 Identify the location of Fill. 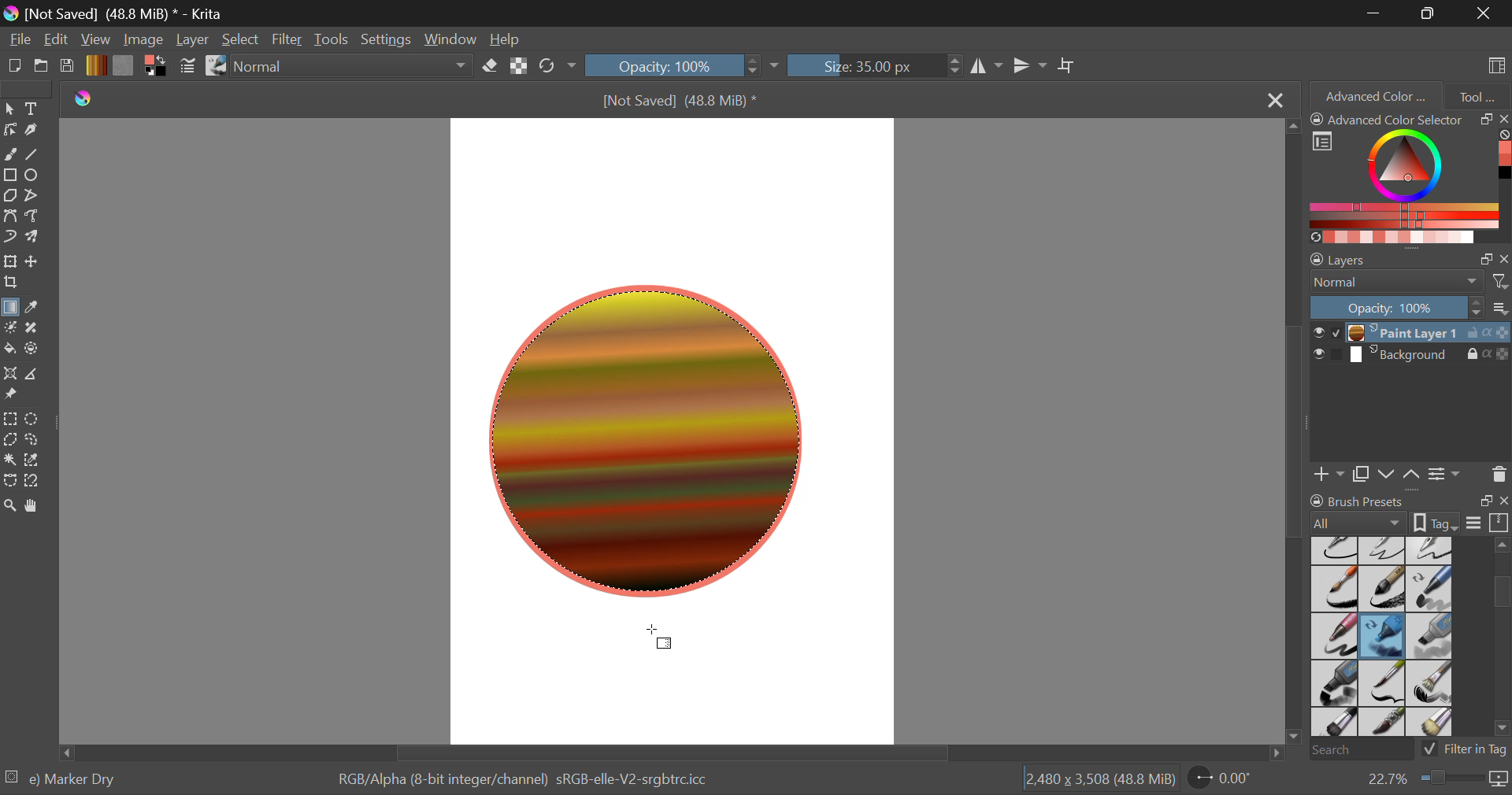
(9, 346).